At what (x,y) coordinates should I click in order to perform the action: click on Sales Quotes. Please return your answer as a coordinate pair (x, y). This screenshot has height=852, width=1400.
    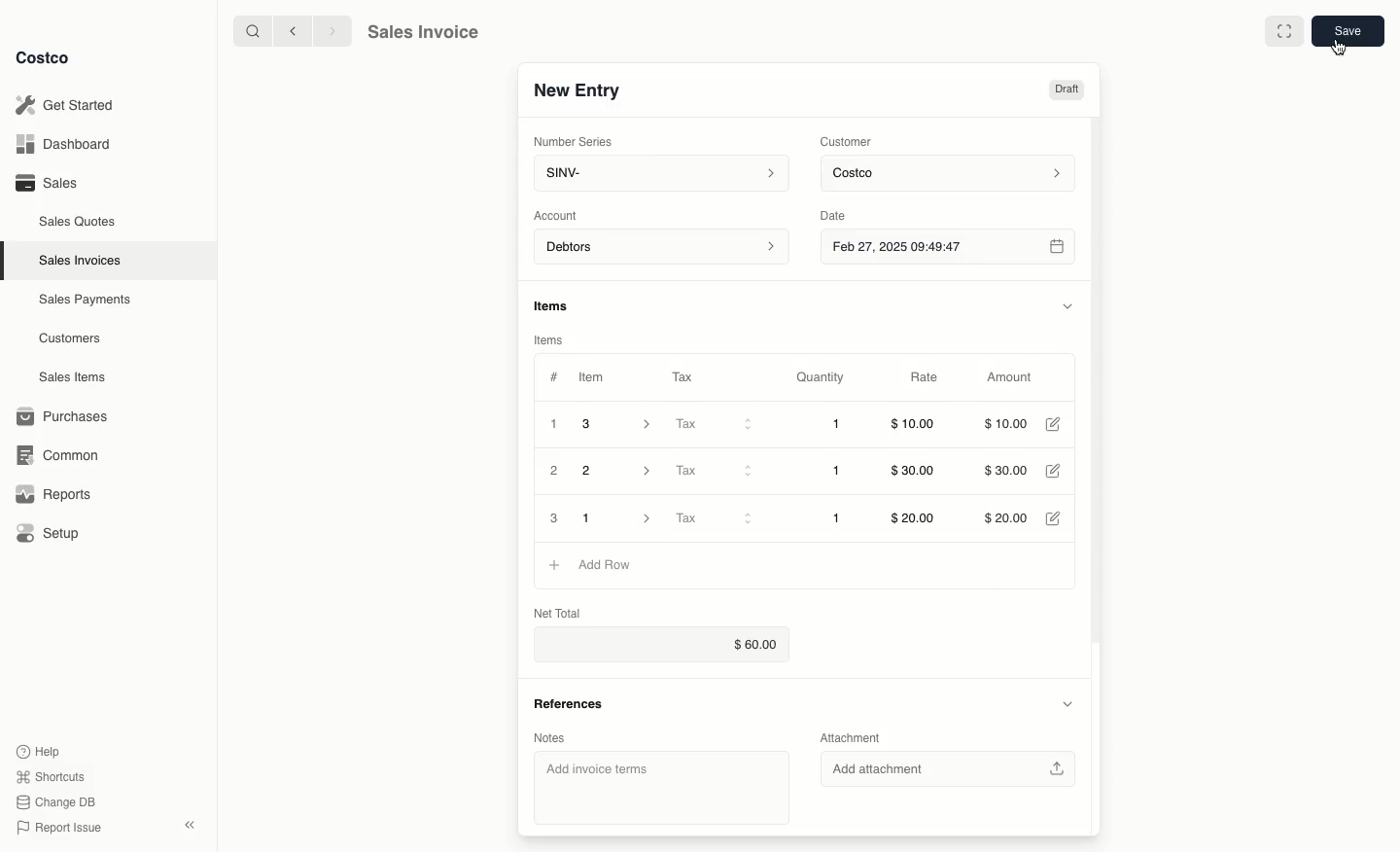
    Looking at the image, I should click on (79, 221).